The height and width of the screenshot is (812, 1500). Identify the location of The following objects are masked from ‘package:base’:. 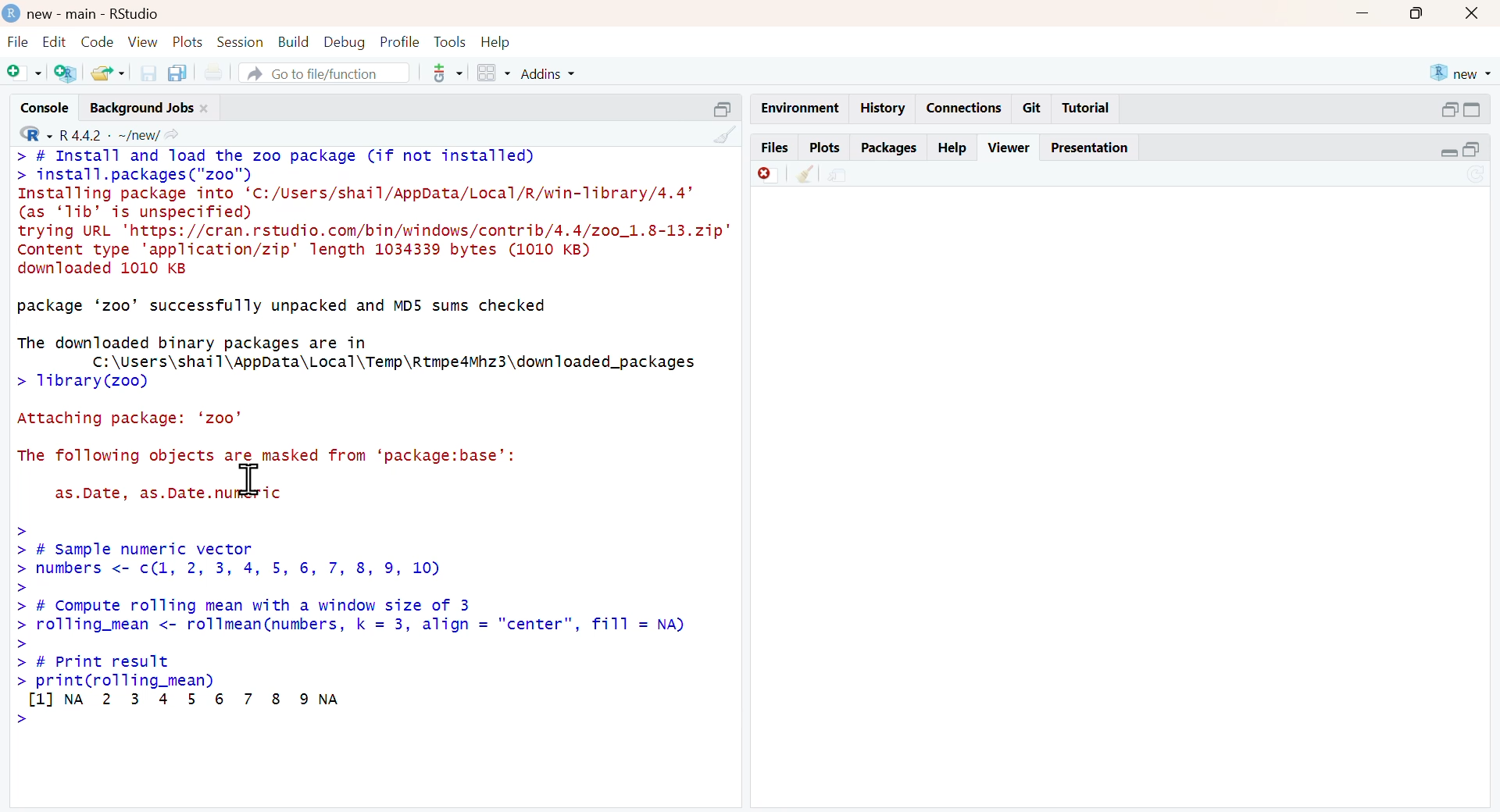
(267, 457).